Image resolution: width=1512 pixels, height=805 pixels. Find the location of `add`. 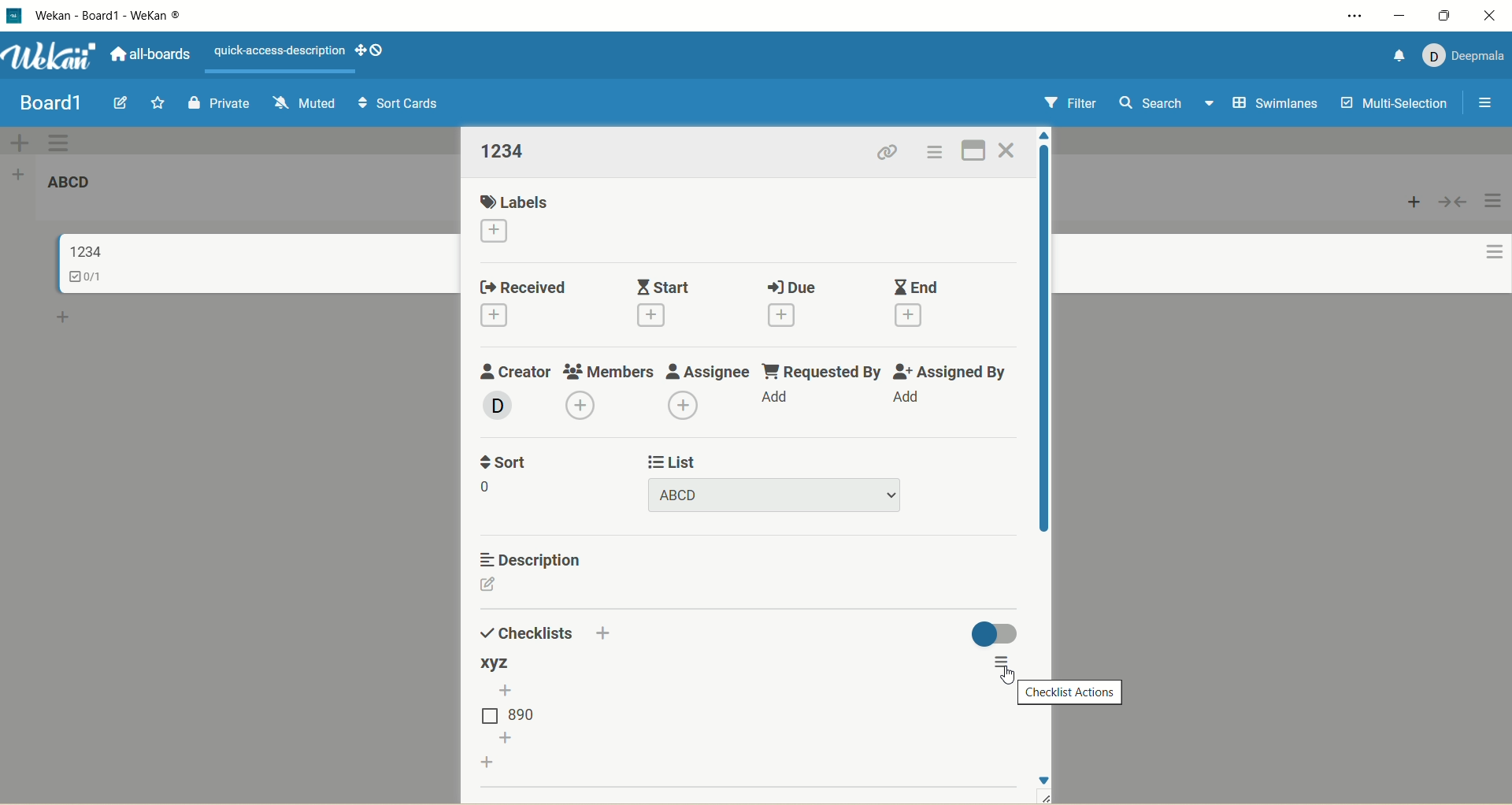

add is located at coordinates (573, 404).